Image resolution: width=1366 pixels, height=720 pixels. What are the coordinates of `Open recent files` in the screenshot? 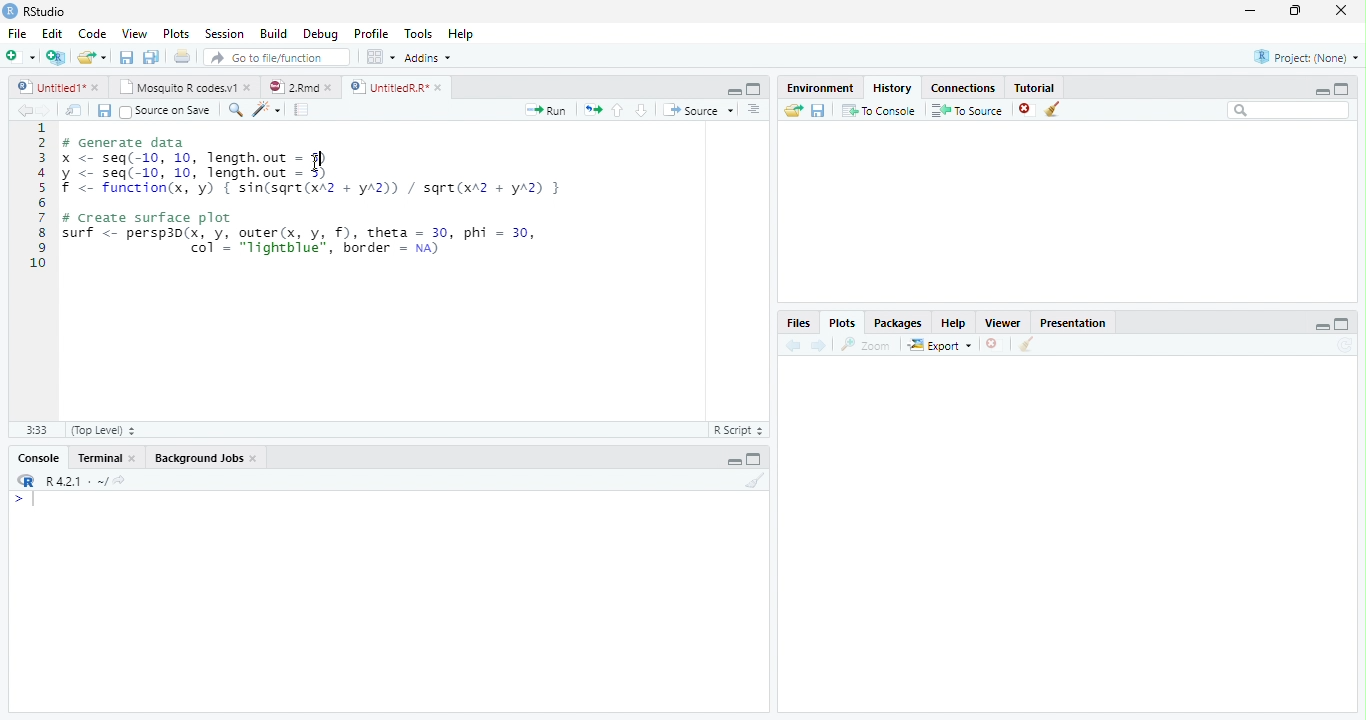 It's located at (104, 57).